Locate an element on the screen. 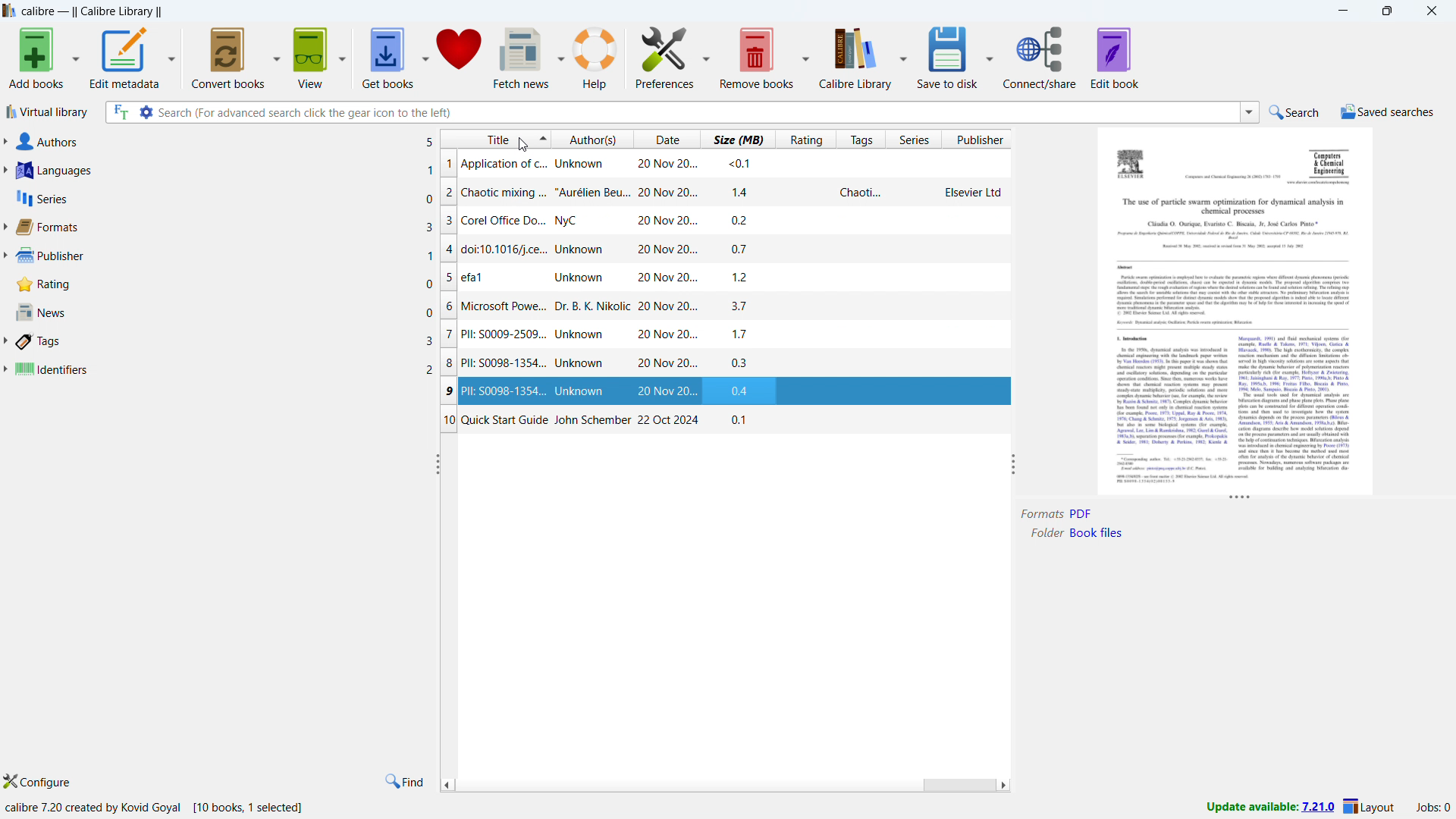  Chaoti... is located at coordinates (868, 193).